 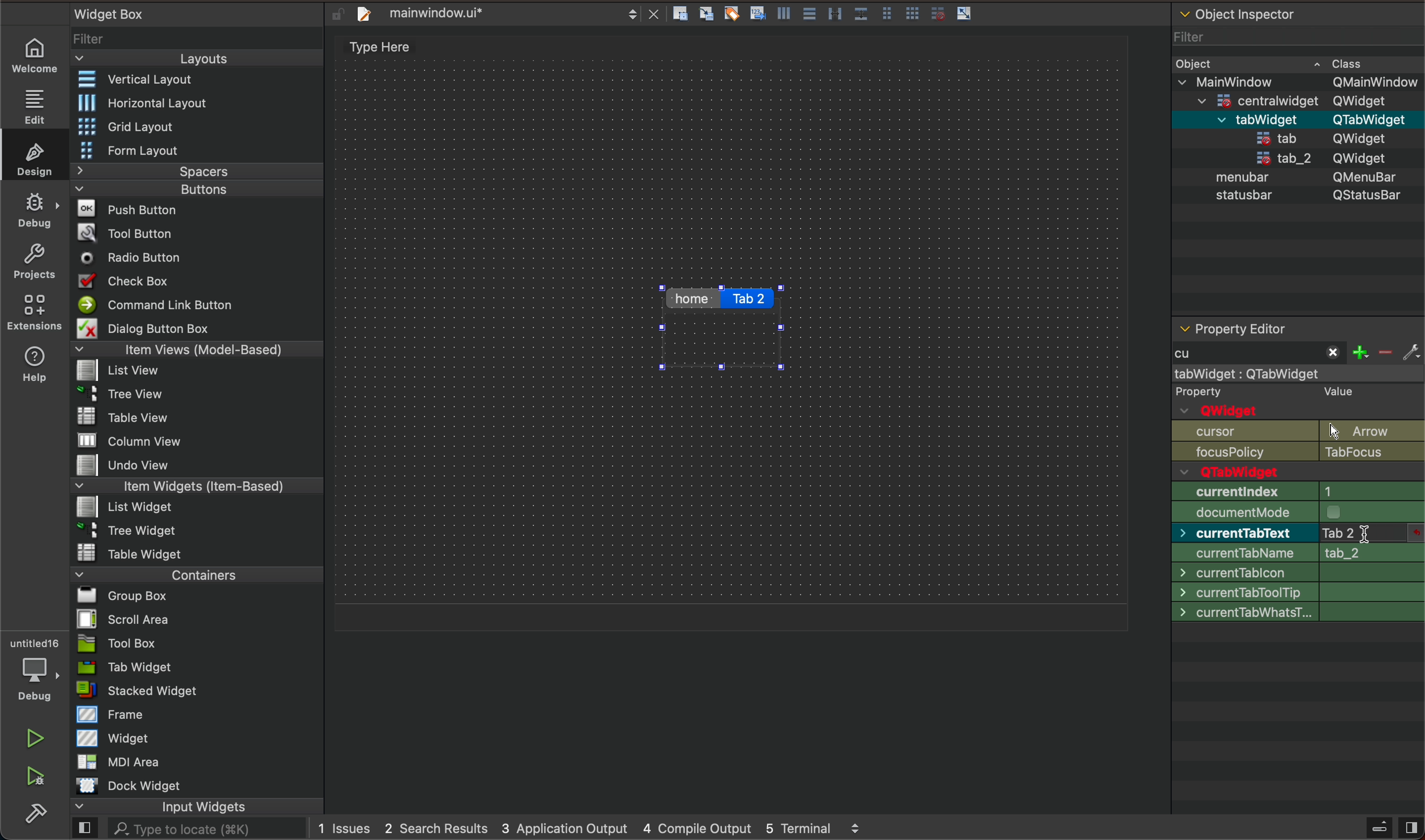 I want to click on  Command Link Button, so click(x=155, y=304).